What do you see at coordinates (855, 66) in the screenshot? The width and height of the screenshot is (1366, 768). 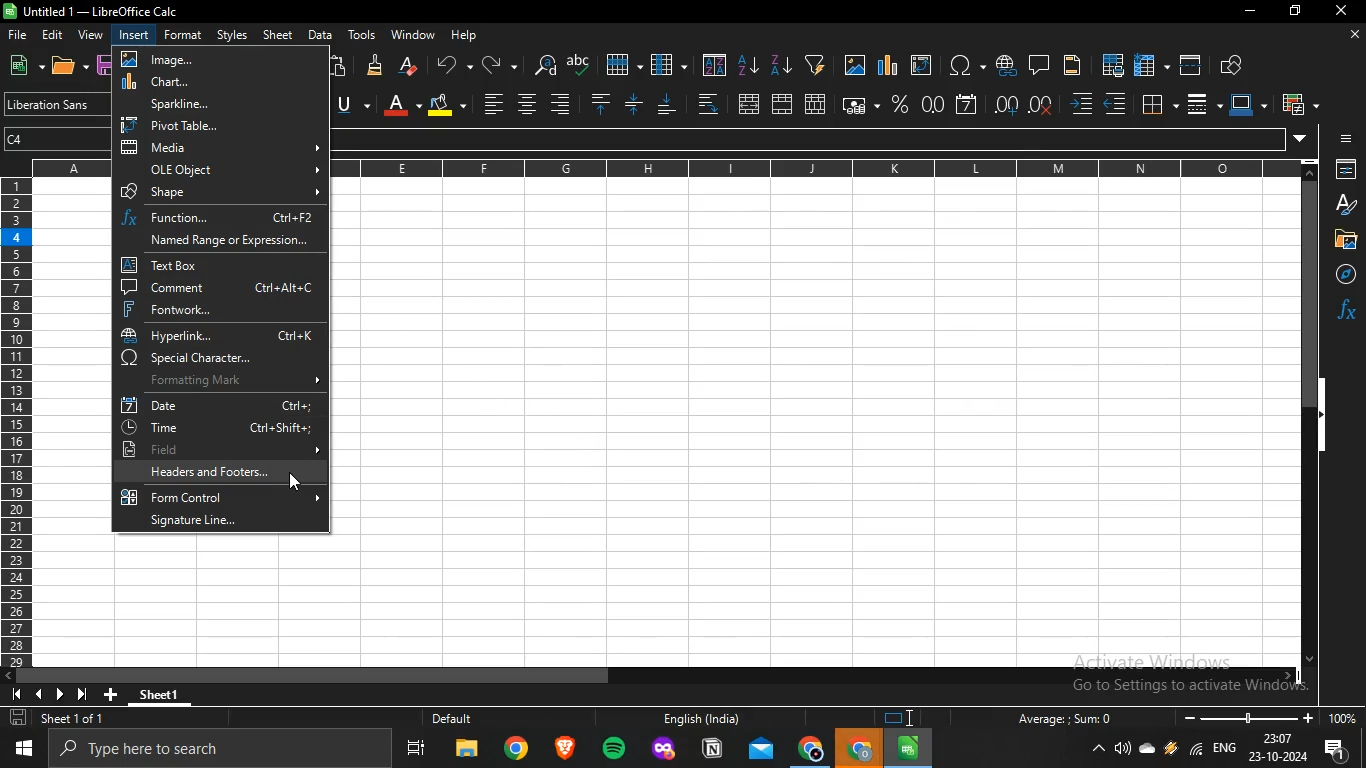 I see `insert images` at bounding box center [855, 66].